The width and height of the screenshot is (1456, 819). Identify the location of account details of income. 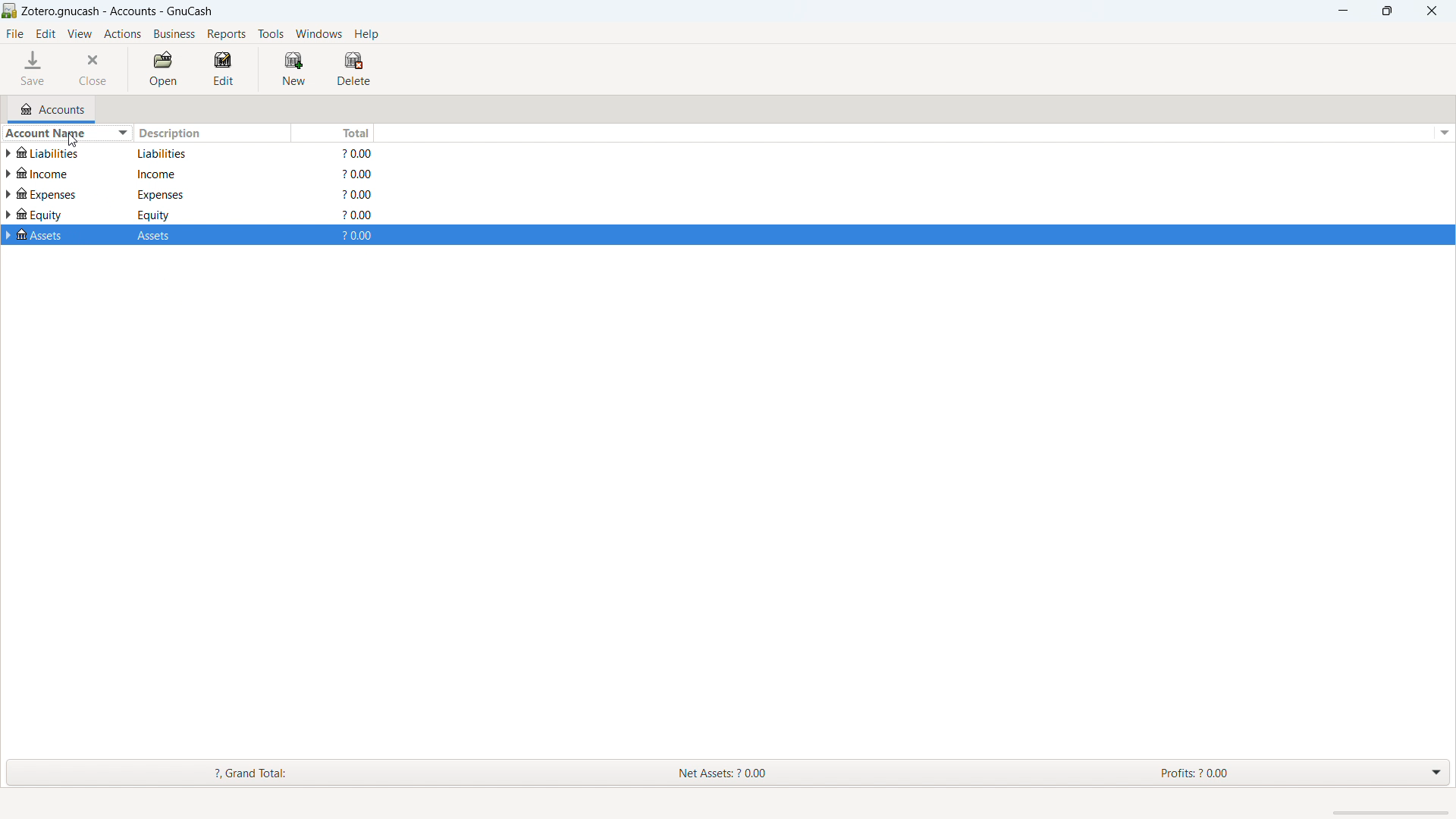
(204, 177).